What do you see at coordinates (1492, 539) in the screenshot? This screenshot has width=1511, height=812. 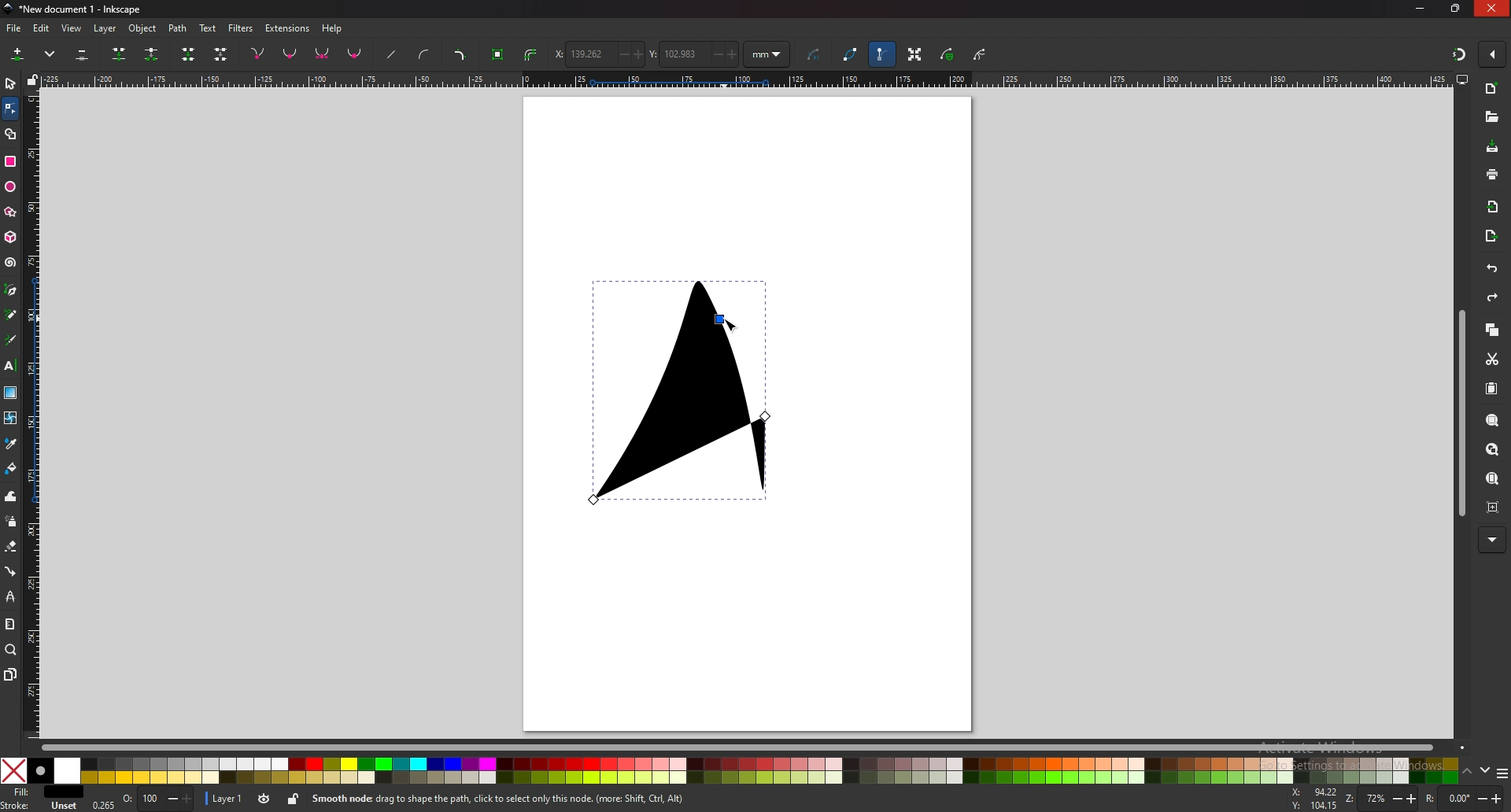 I see `more` at bounding box center [1492, 539].